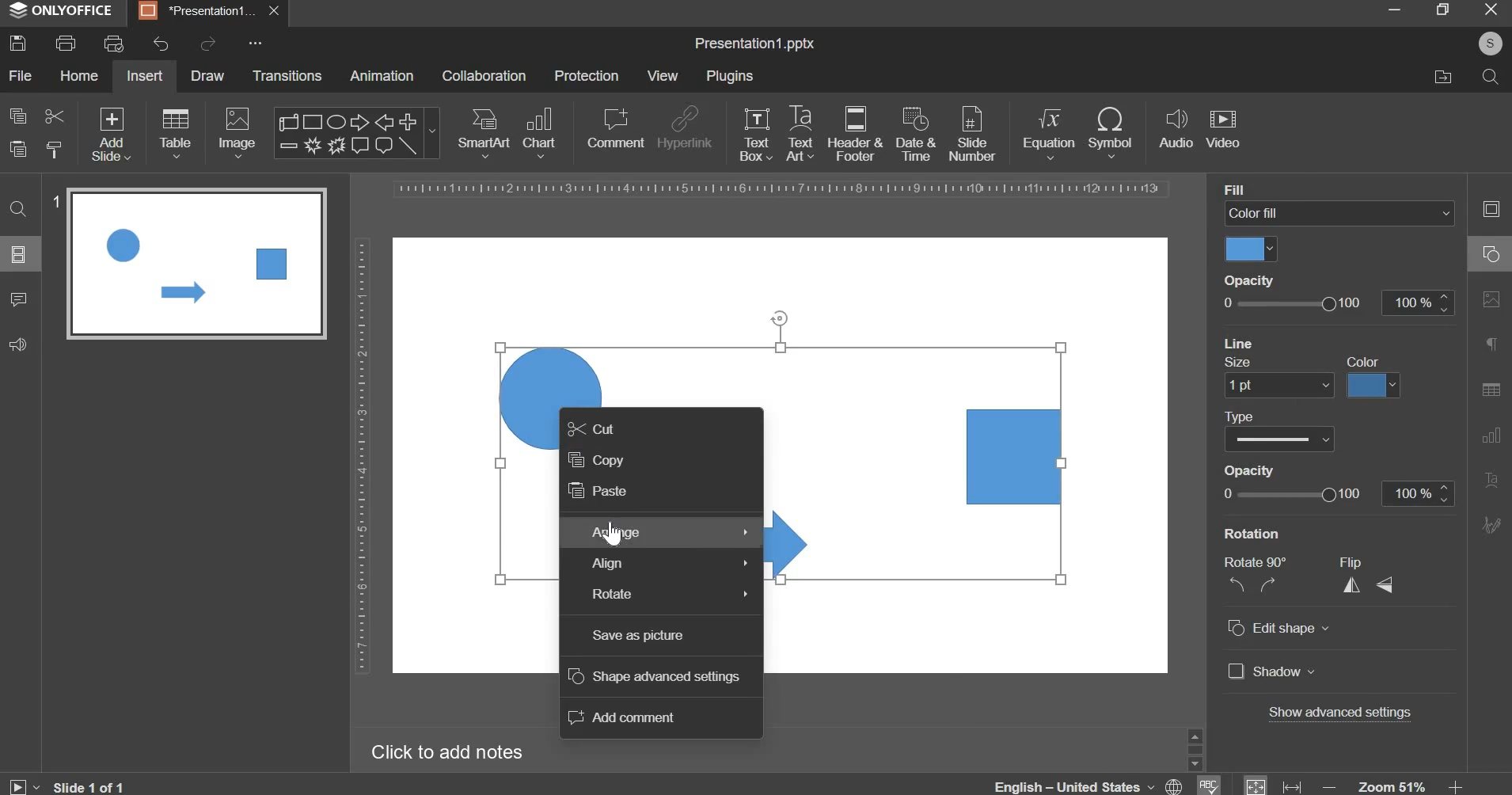 The image size is (1512, 795). Describe the element at coordinates (256, 46) in the screenshot. I see `options` at that location.